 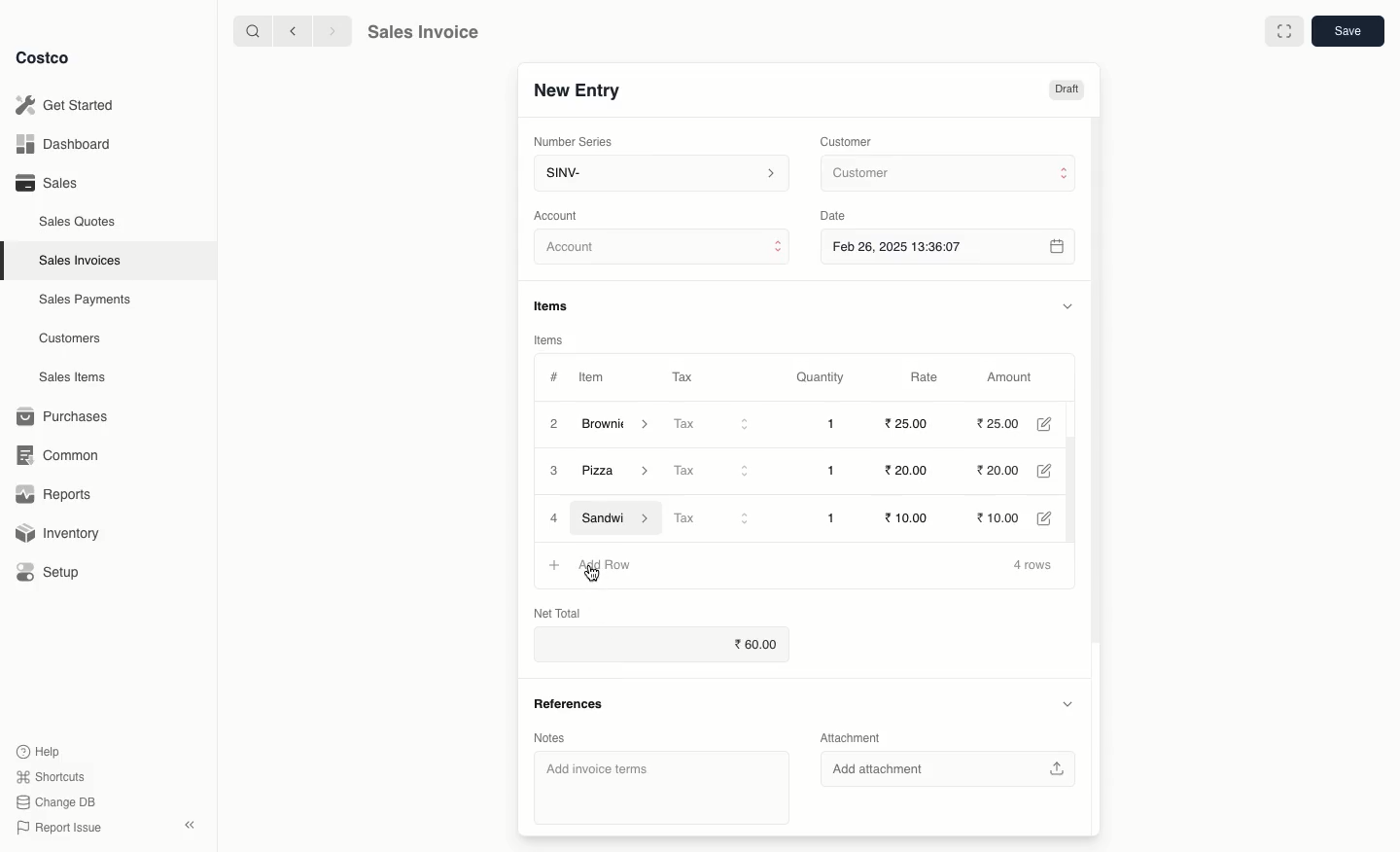 What do you see at coordinates (1067, 305) in the screenshot?
I see `Hide` at bounding box center [1067, 305].